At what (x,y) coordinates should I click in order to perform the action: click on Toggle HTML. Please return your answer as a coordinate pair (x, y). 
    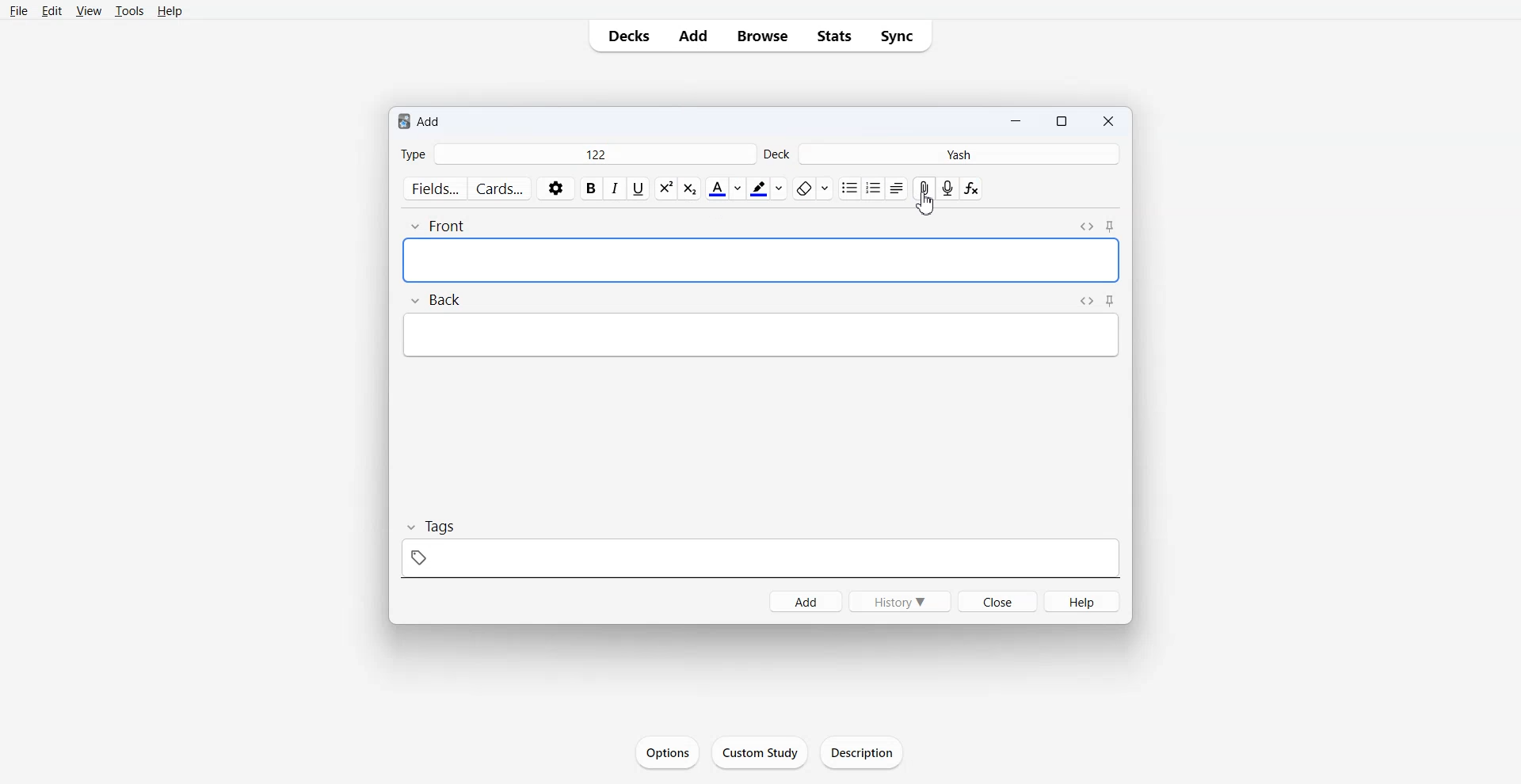
    Looking at the image, I should click on (1087, 227).